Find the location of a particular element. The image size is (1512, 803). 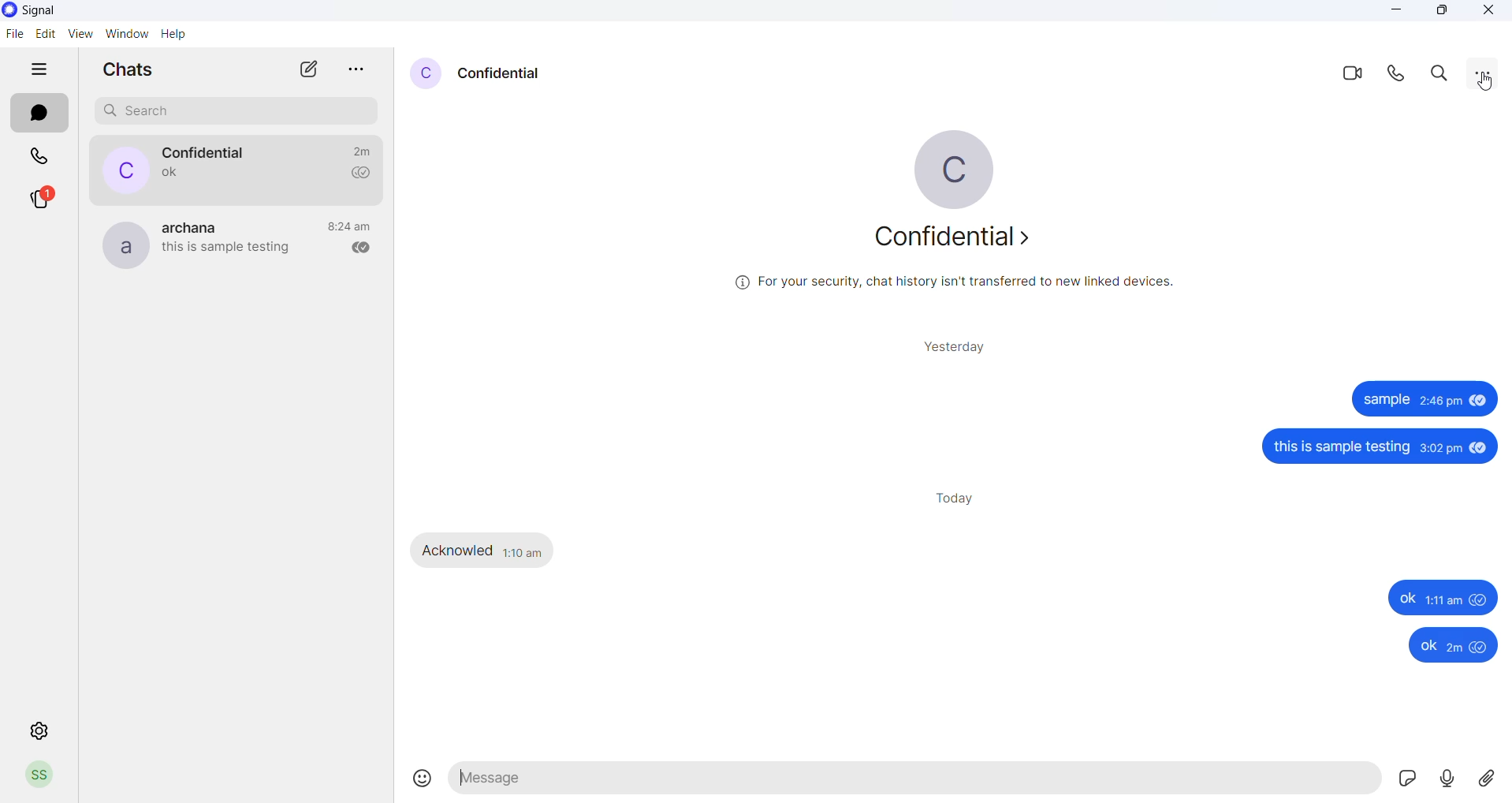

read recipient  is located at coordinates (355, 174).